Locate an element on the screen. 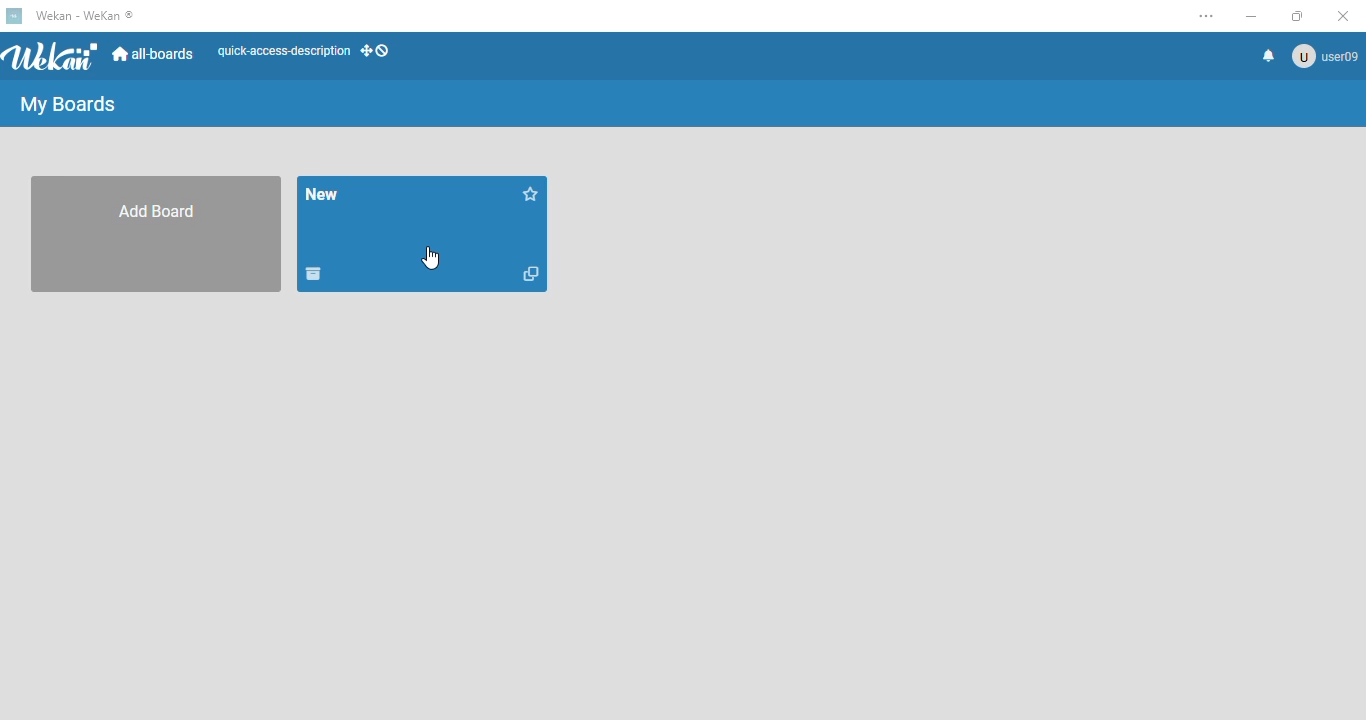 The image size is (1366, 720). all-boards is located at coordinates (155, 55).